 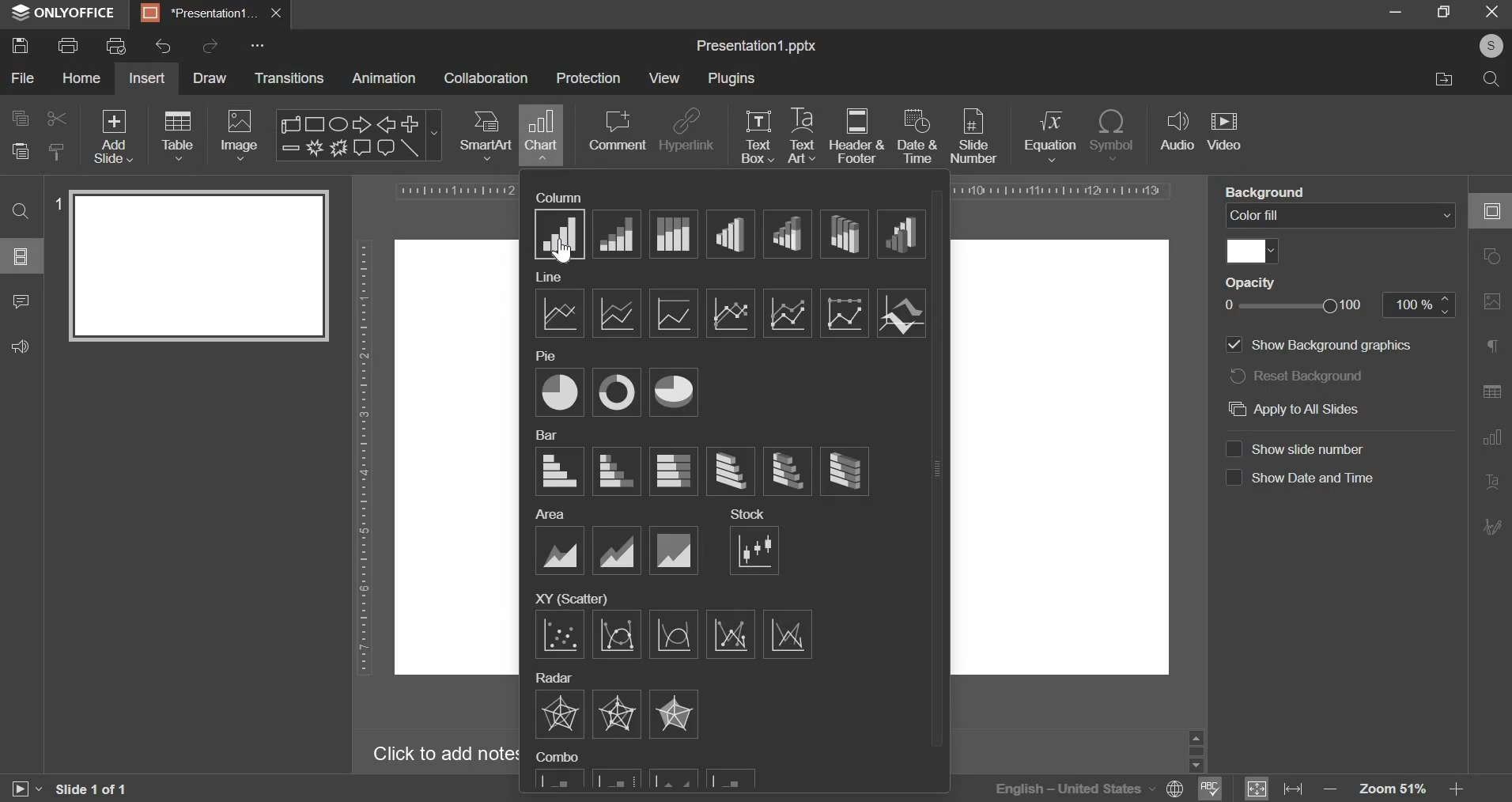 I want to click on transitions, so click(x=289, y=78).